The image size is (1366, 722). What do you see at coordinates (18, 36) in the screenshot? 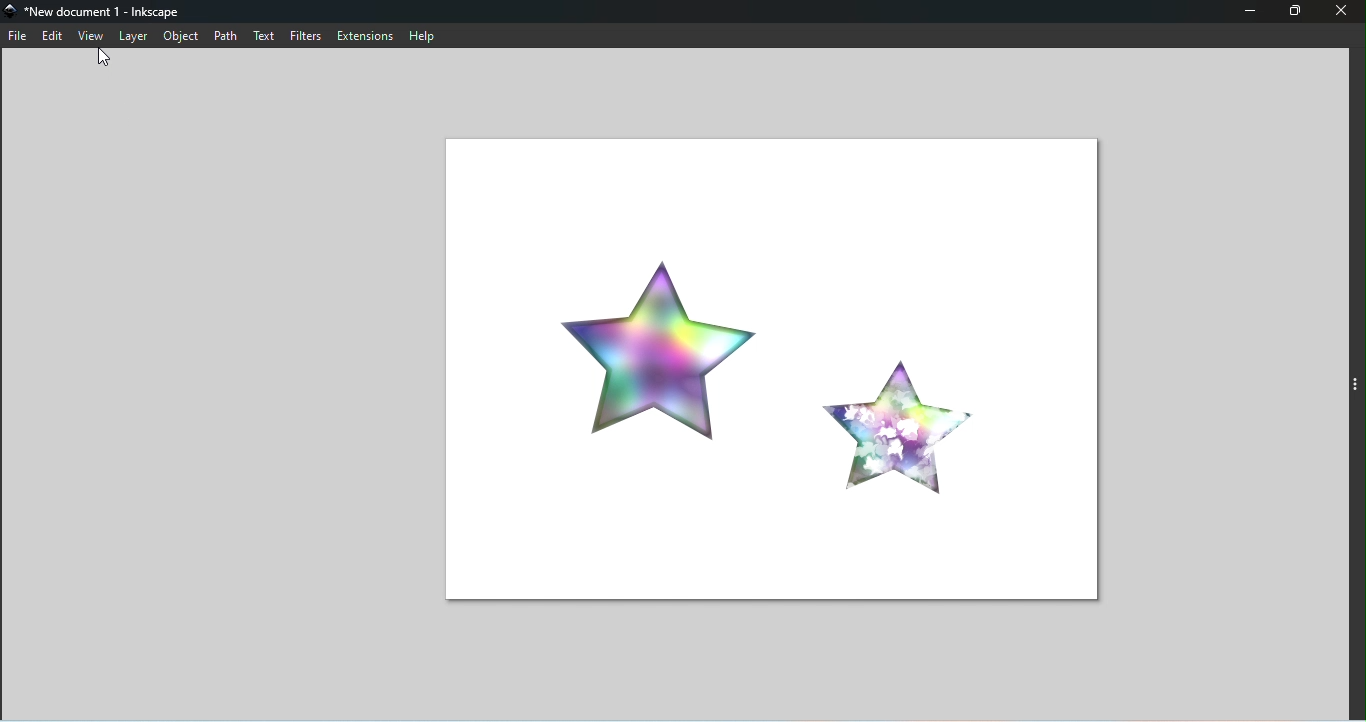
I see `File` at bounding box center [18, 36].